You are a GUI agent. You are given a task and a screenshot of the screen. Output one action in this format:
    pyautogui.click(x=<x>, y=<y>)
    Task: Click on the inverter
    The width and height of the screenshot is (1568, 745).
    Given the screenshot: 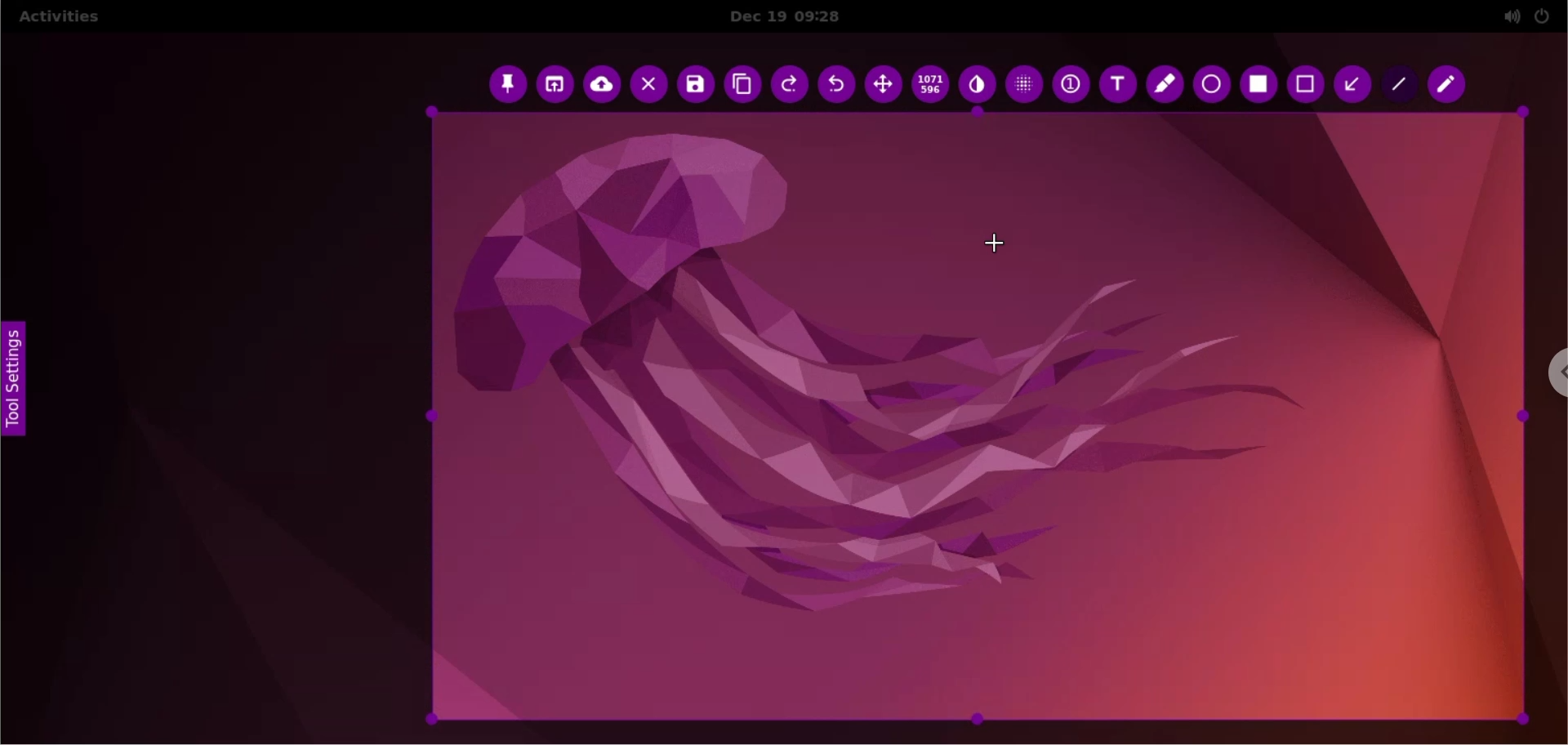 What is the action you would take?
    pyautogui.click(x=976, y=85)
    